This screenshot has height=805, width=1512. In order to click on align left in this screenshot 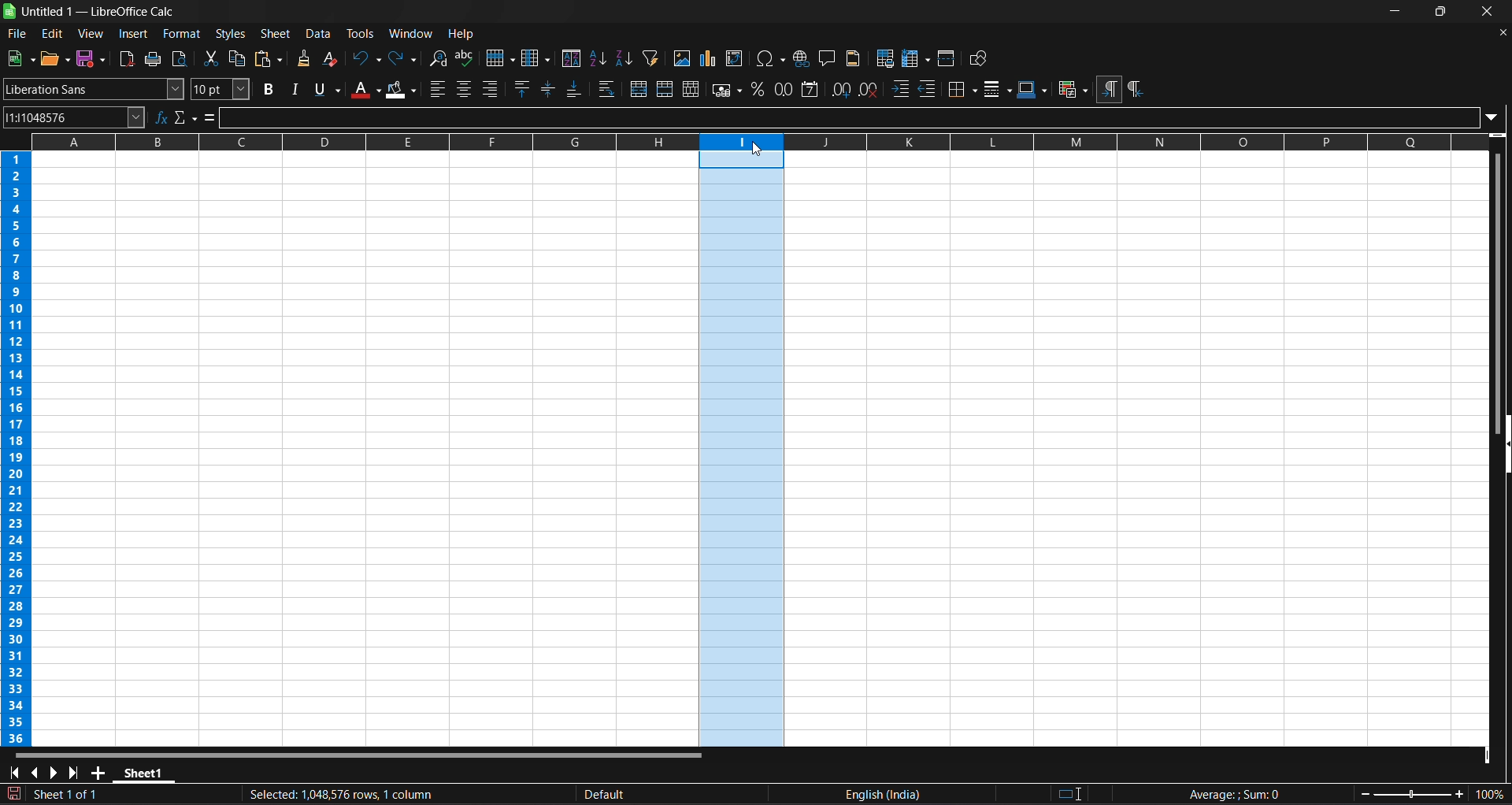, I will do `click(435, 90)`.